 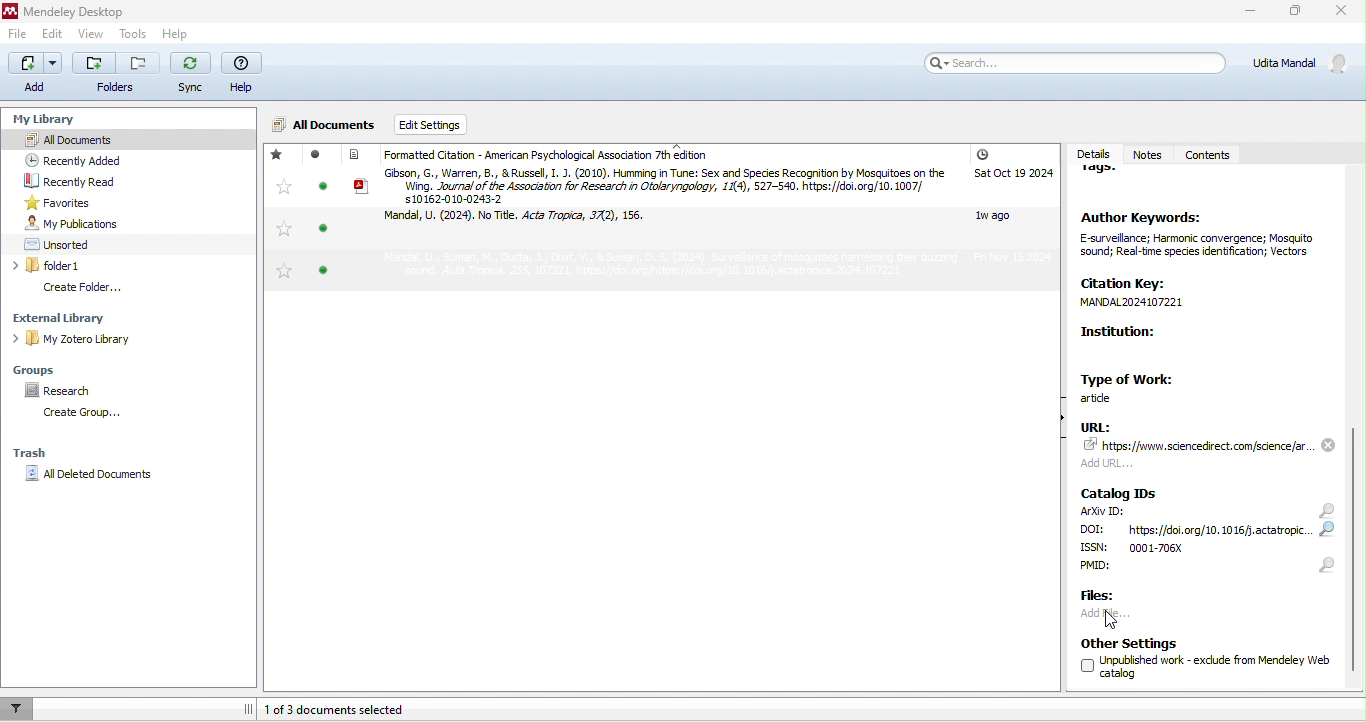 I want to click on unsorted, so click(x=74, y=243).